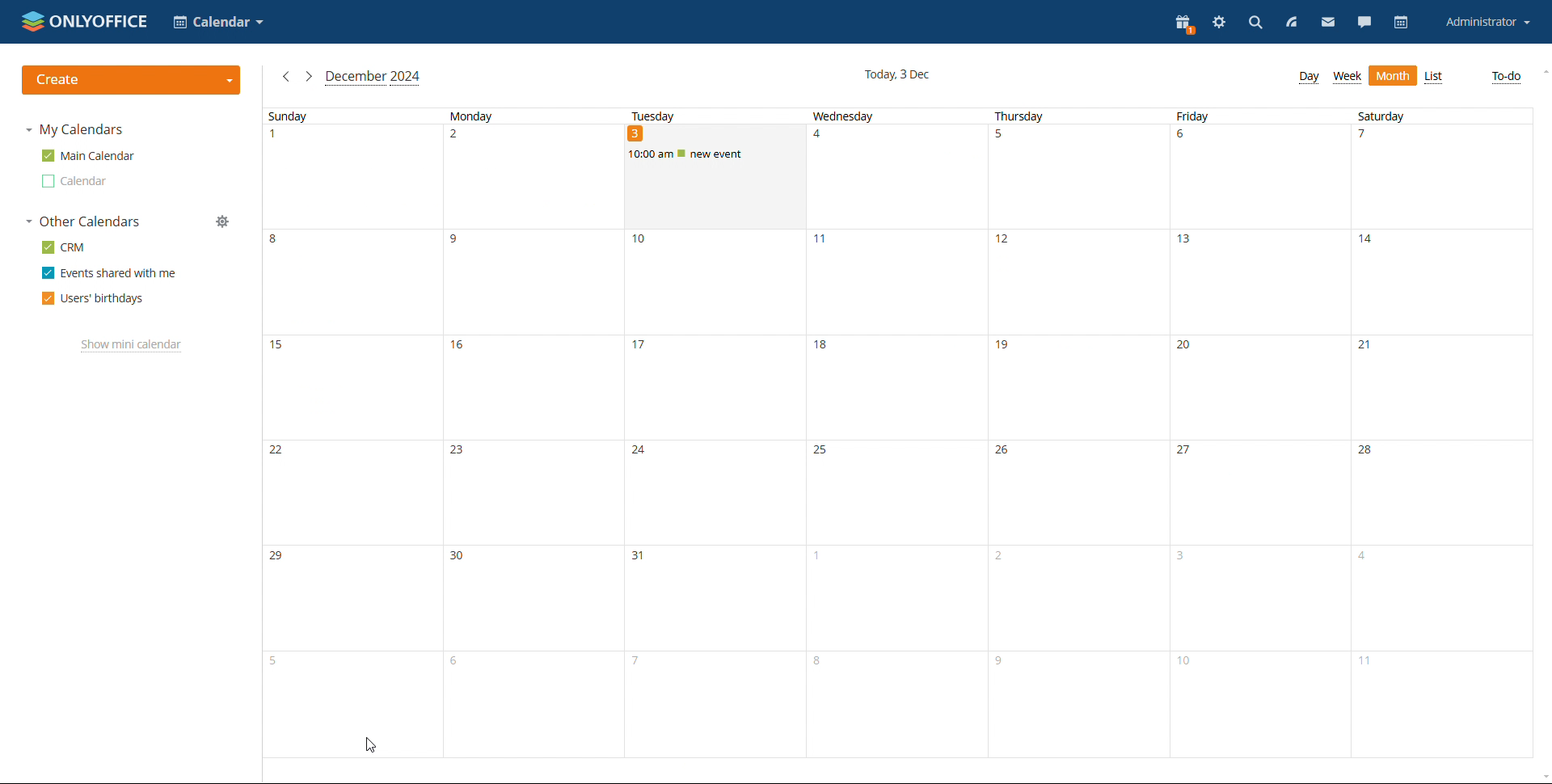 The image size is (1552, 784). What do you see at coordinates (1444, 116) in the screenshot?
I see `Saturday` at bounding box center [1444, 116].